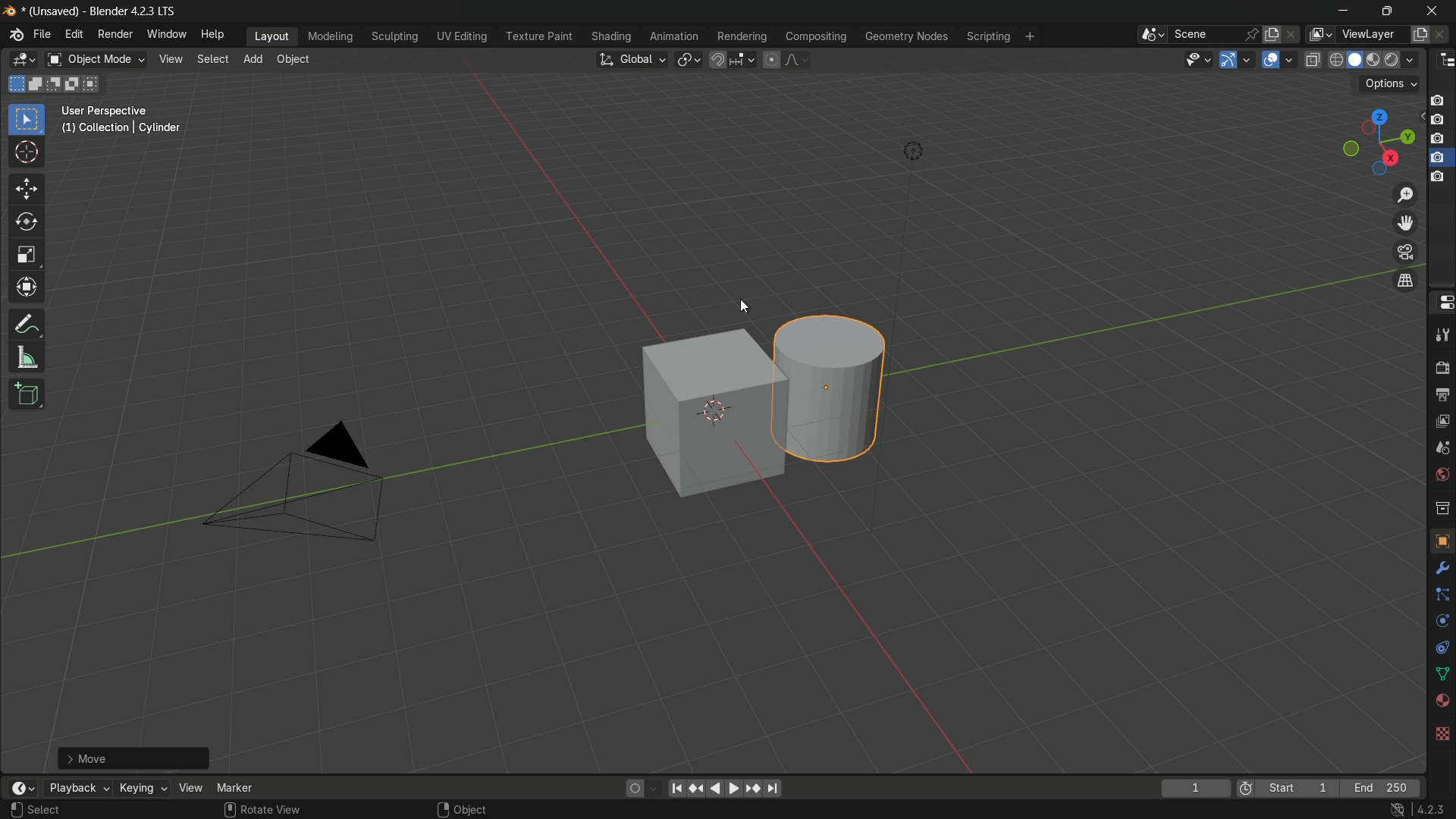 This screenshot has width=1456, height=819. What do you see at coordinates (1435, 623) in the screenshot?
I see `rotate` at bounding box center [1435, 623].